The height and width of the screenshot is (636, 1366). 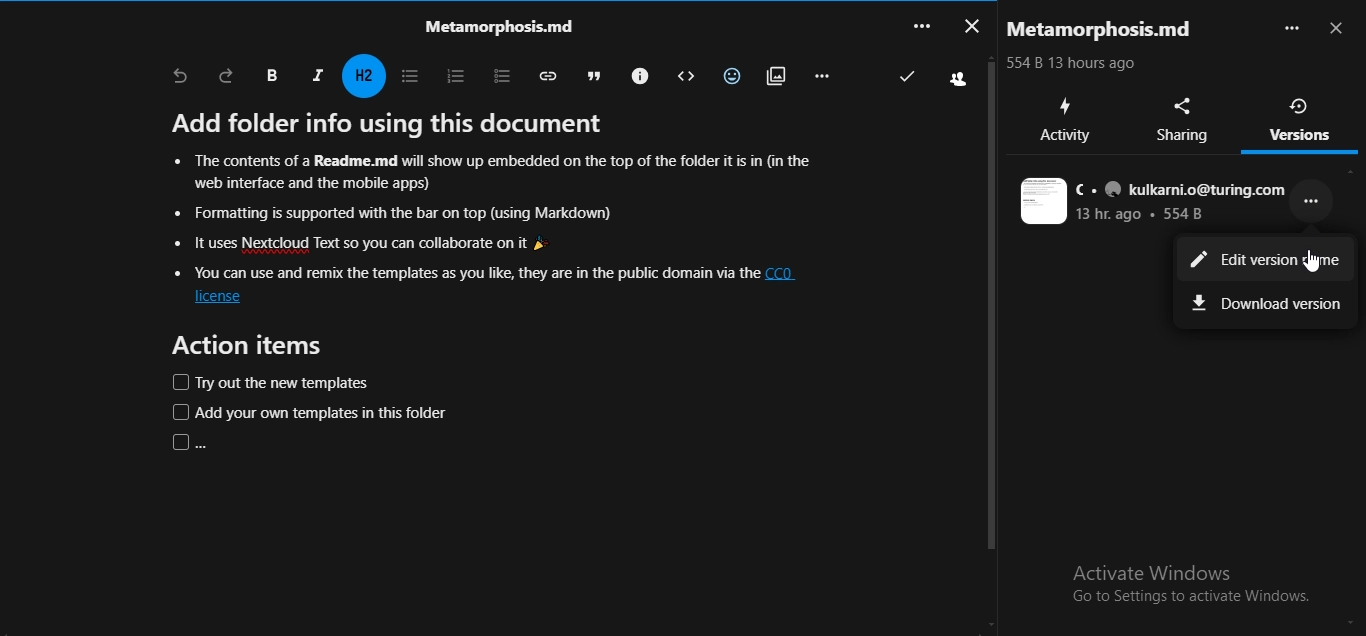 I want to click on users, so click(x=959, y=78).